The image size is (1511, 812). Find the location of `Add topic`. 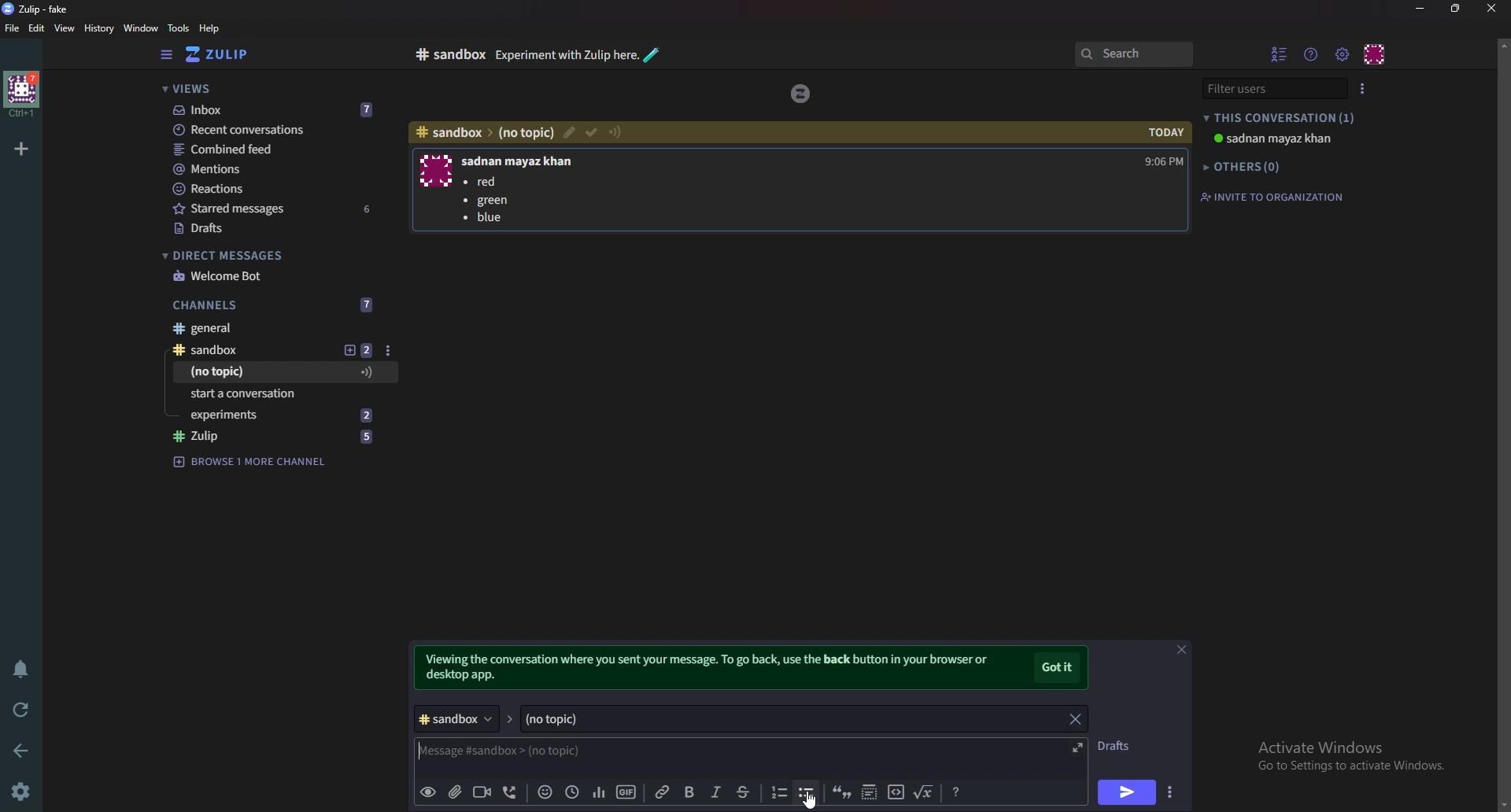

Add topic is located at coordinates (357, 350).